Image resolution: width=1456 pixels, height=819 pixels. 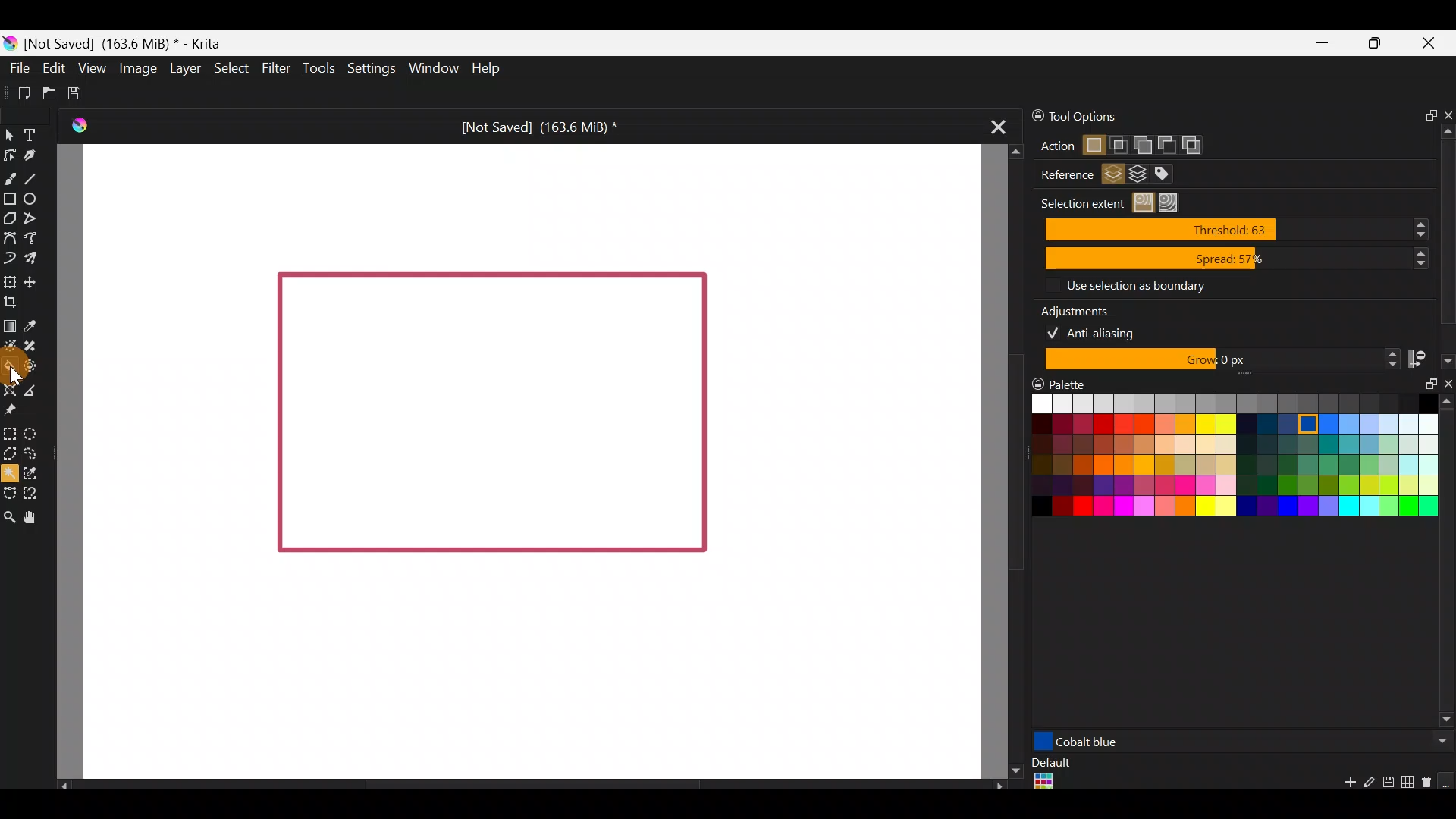 I want to click on Scroll bar, so click(x=1005, y=462).